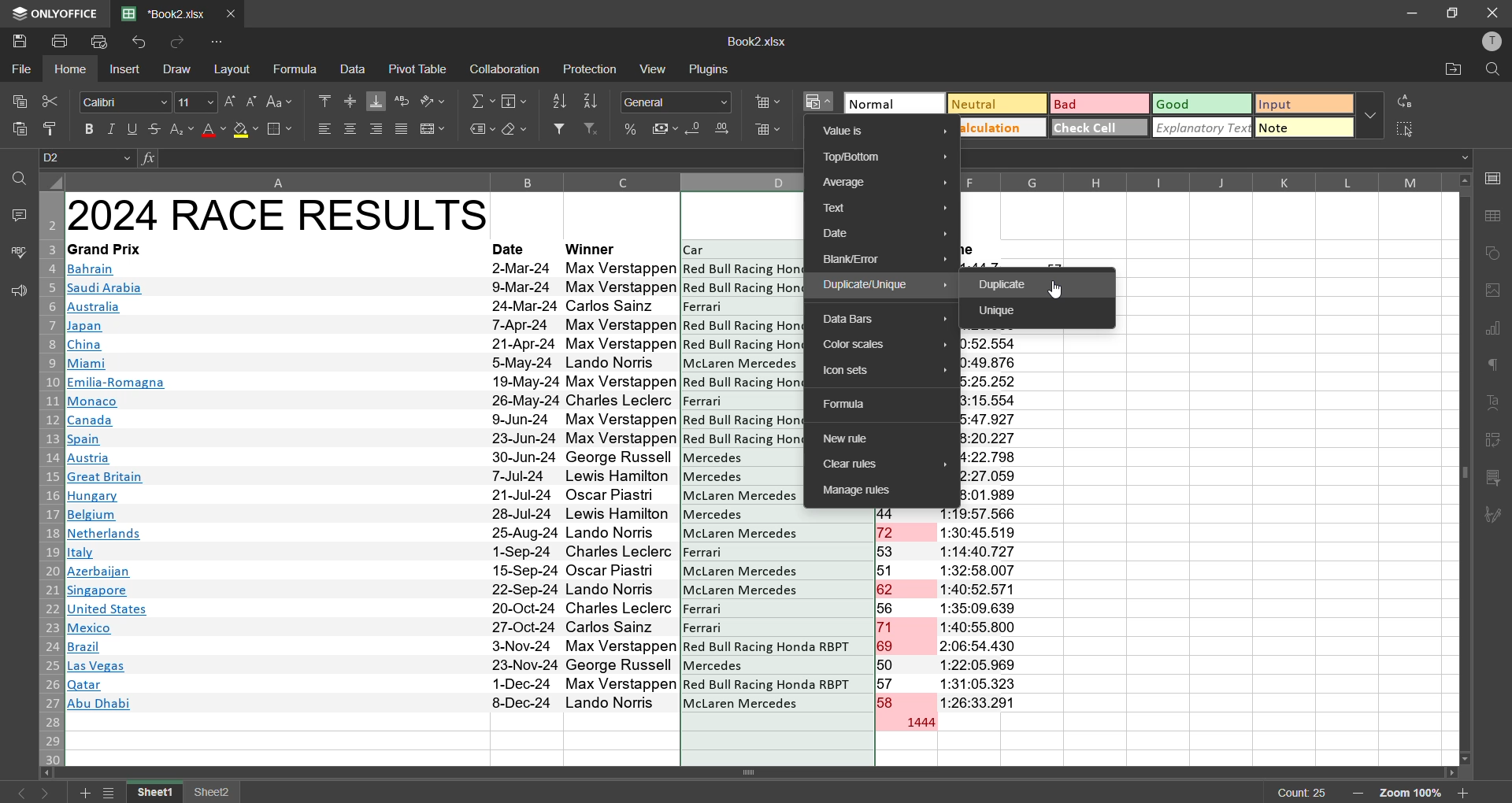 This screenshot has width=1512, height=803. What do you see at coordinates (1006, 285) in the screenshot?
I see `duplicate` at bounding box center [1006, 285].